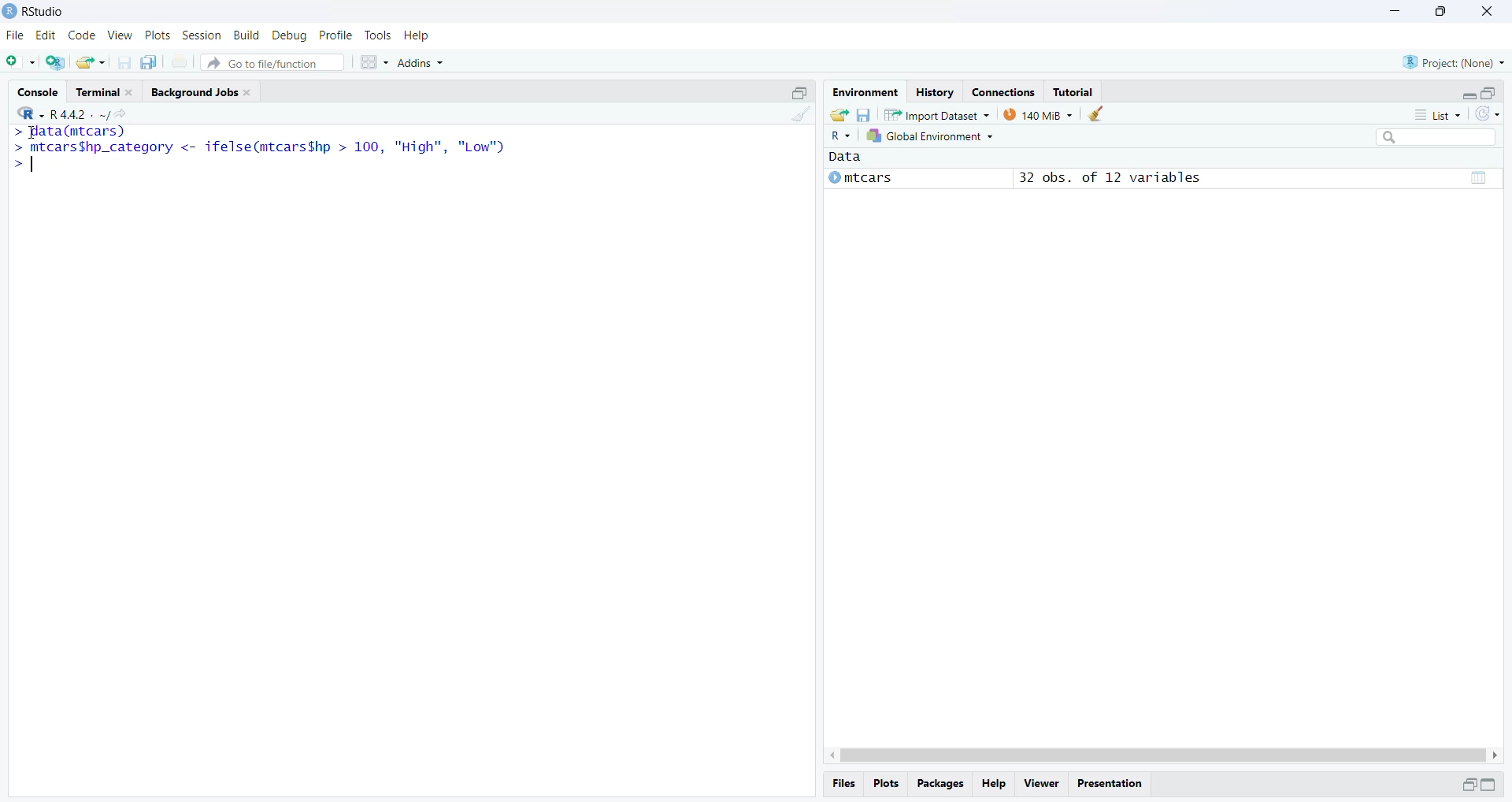 Image resolution: width=1512 pixels, height=802 pixels. I want to click on Refresh the list of objects in the environment, so click(1488, 115).